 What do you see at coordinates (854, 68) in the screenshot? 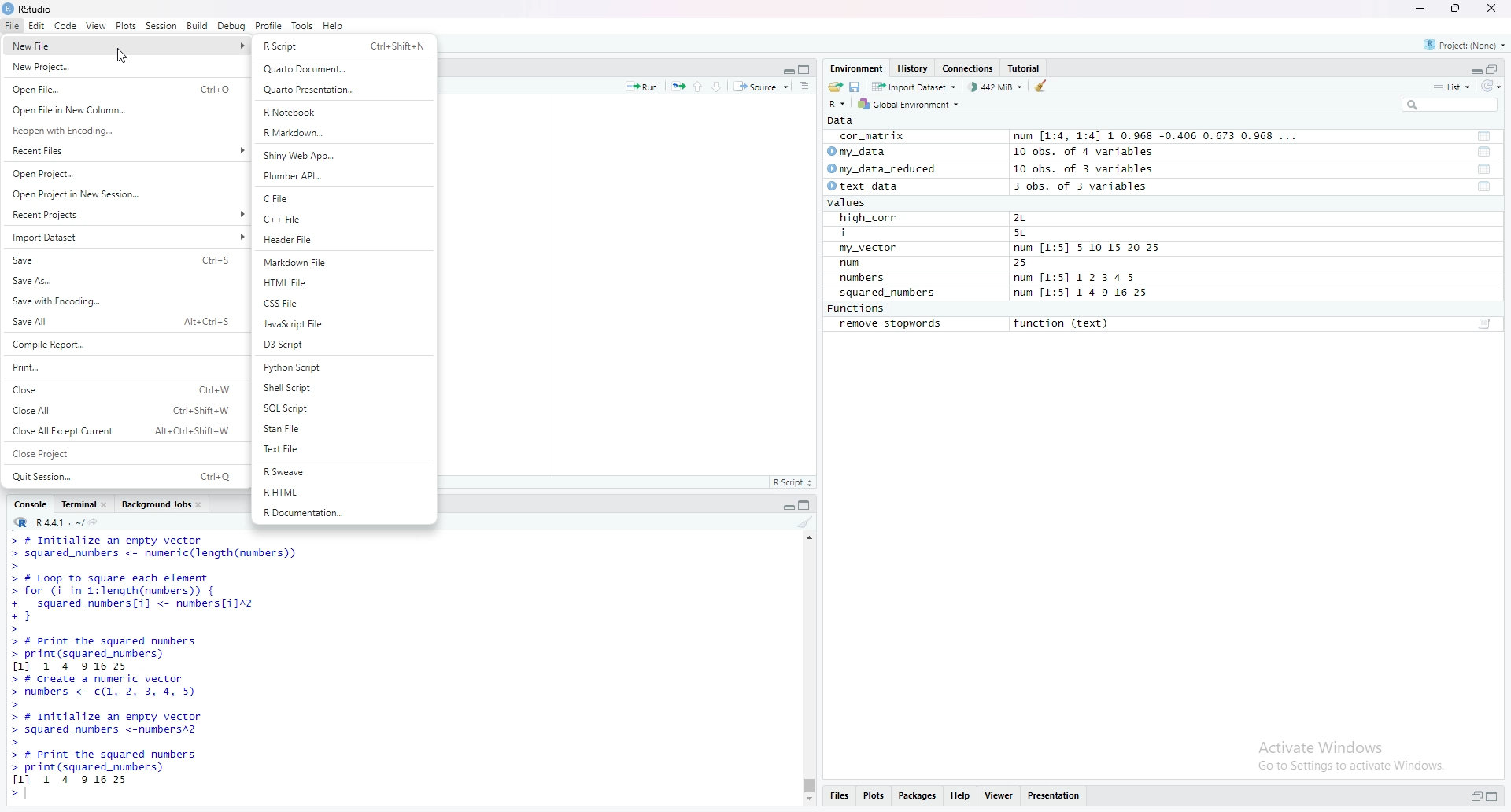
I see `Environment` at bounding box center [854, 68].